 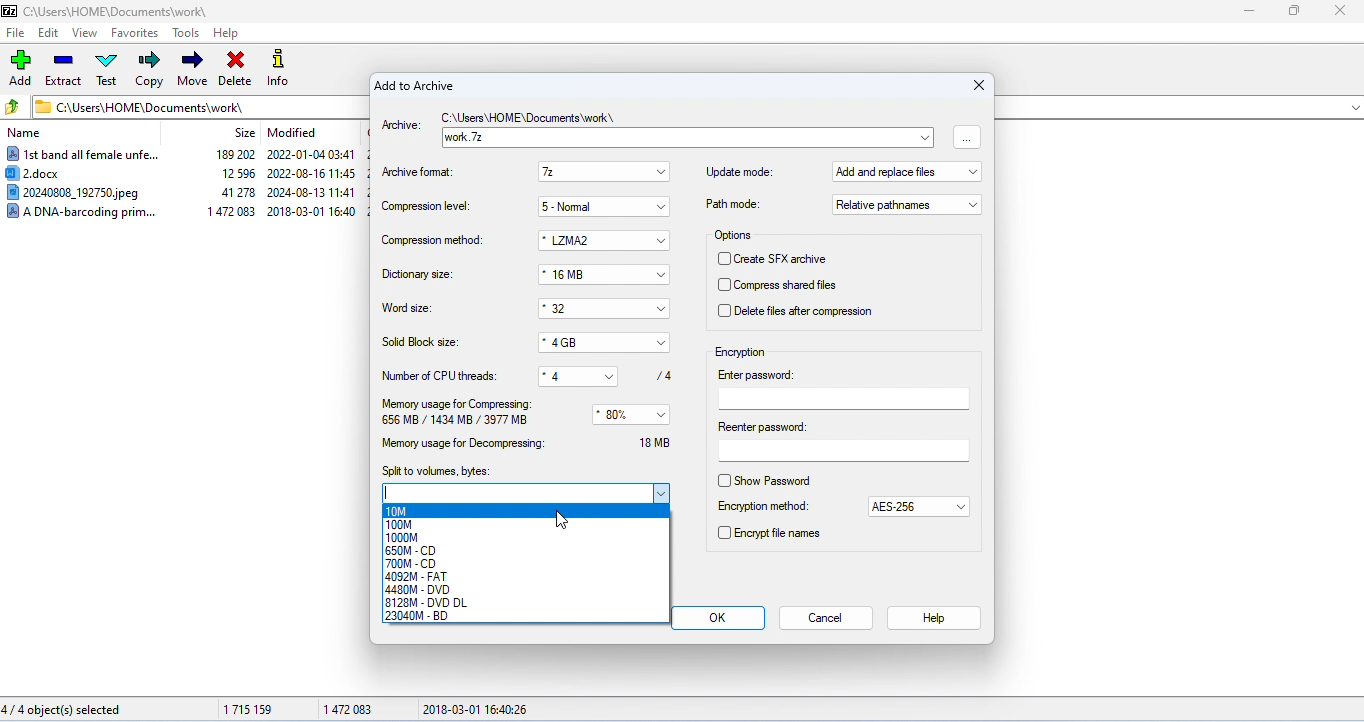 What do you see at coordinates (592, 276) in the screenshot?
I see `* 16 MB` at bounding box center [592, 276].